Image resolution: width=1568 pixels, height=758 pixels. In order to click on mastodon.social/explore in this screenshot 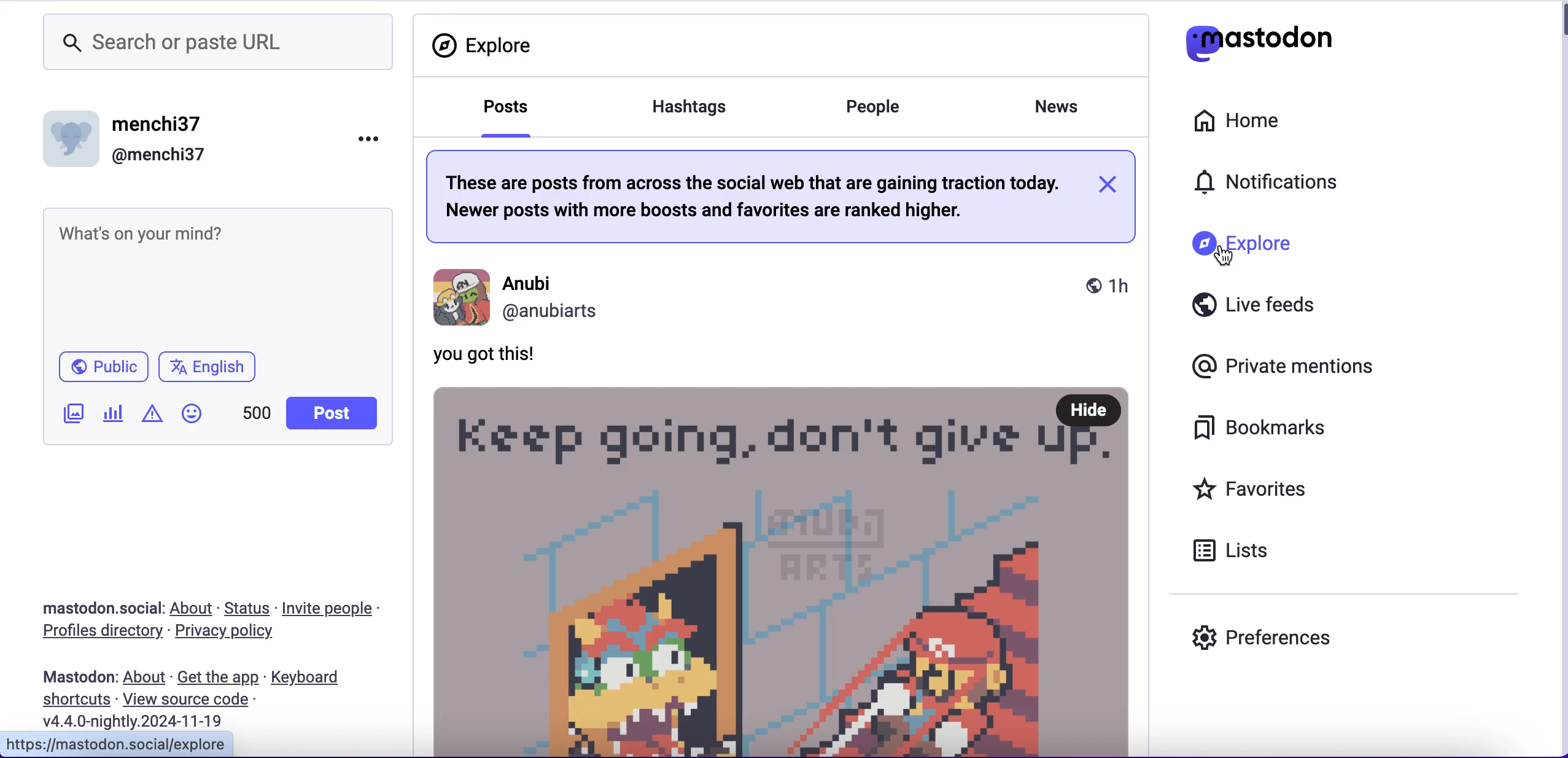, I will do `click(125, 744)`.